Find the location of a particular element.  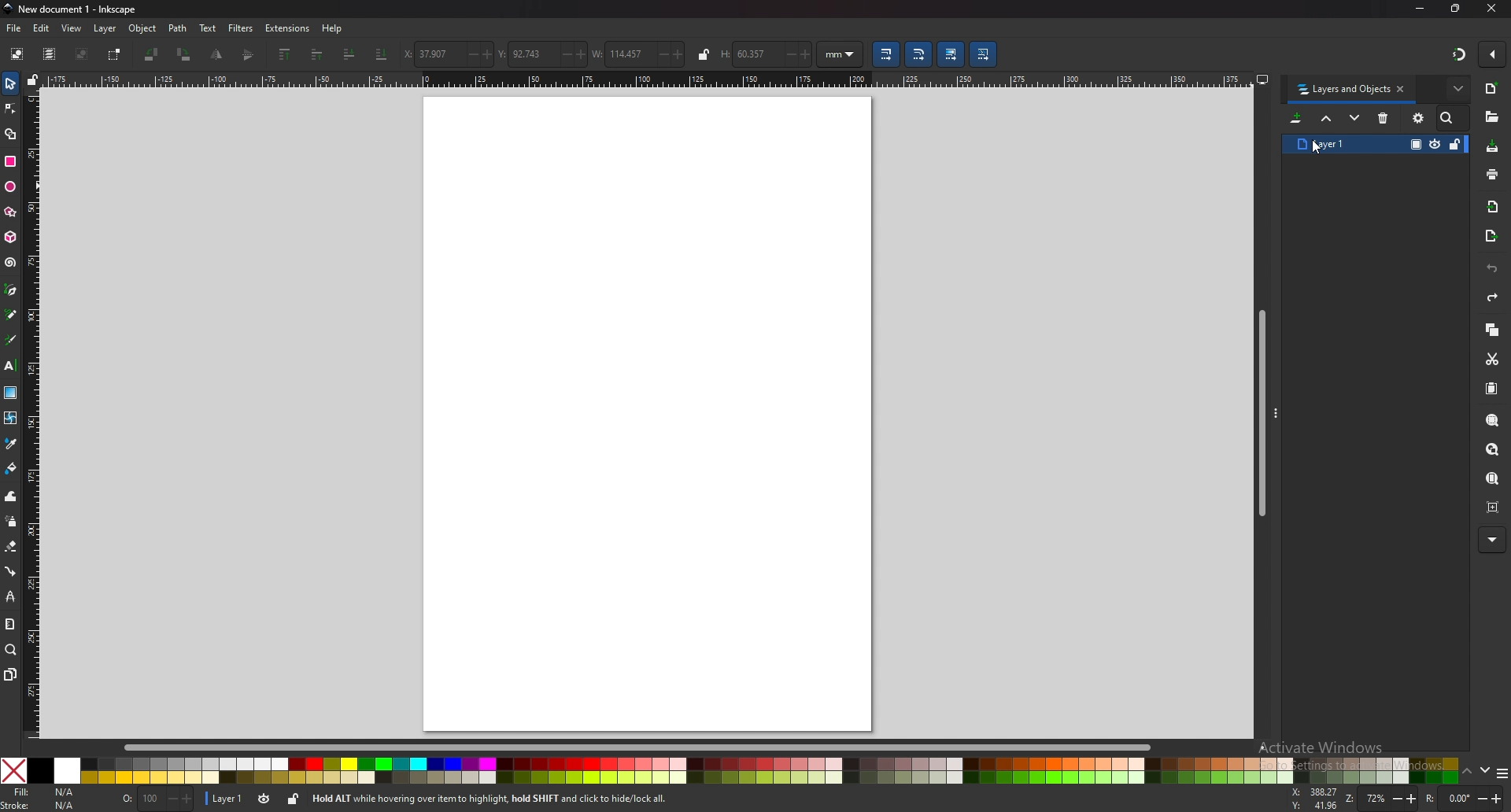

rotate 90 degree ccw is located at coordinates (151, 55).